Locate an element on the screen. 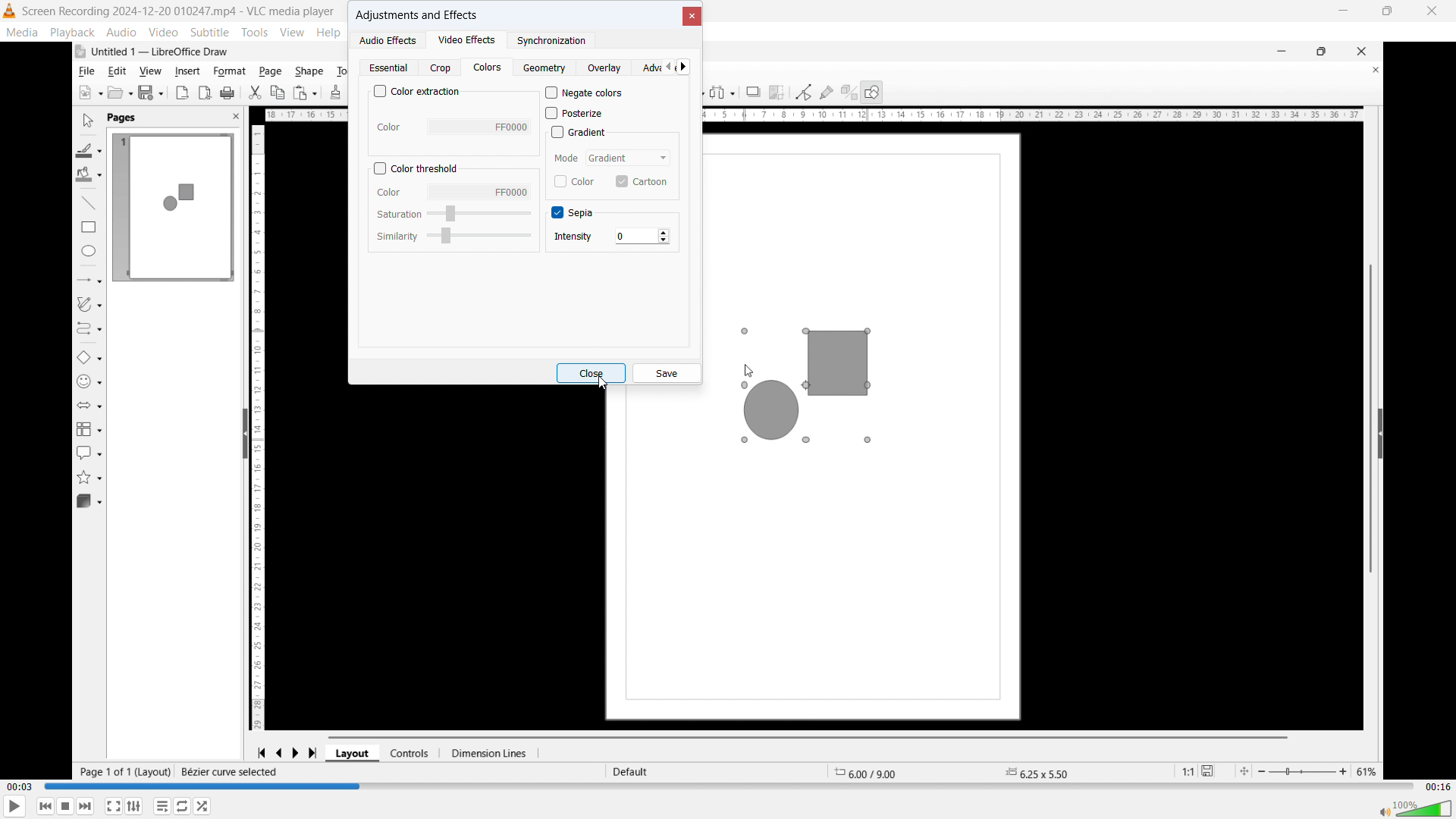 The width and height of the screenshot is (1456, 819). mode is located at coordinates (566, 158).